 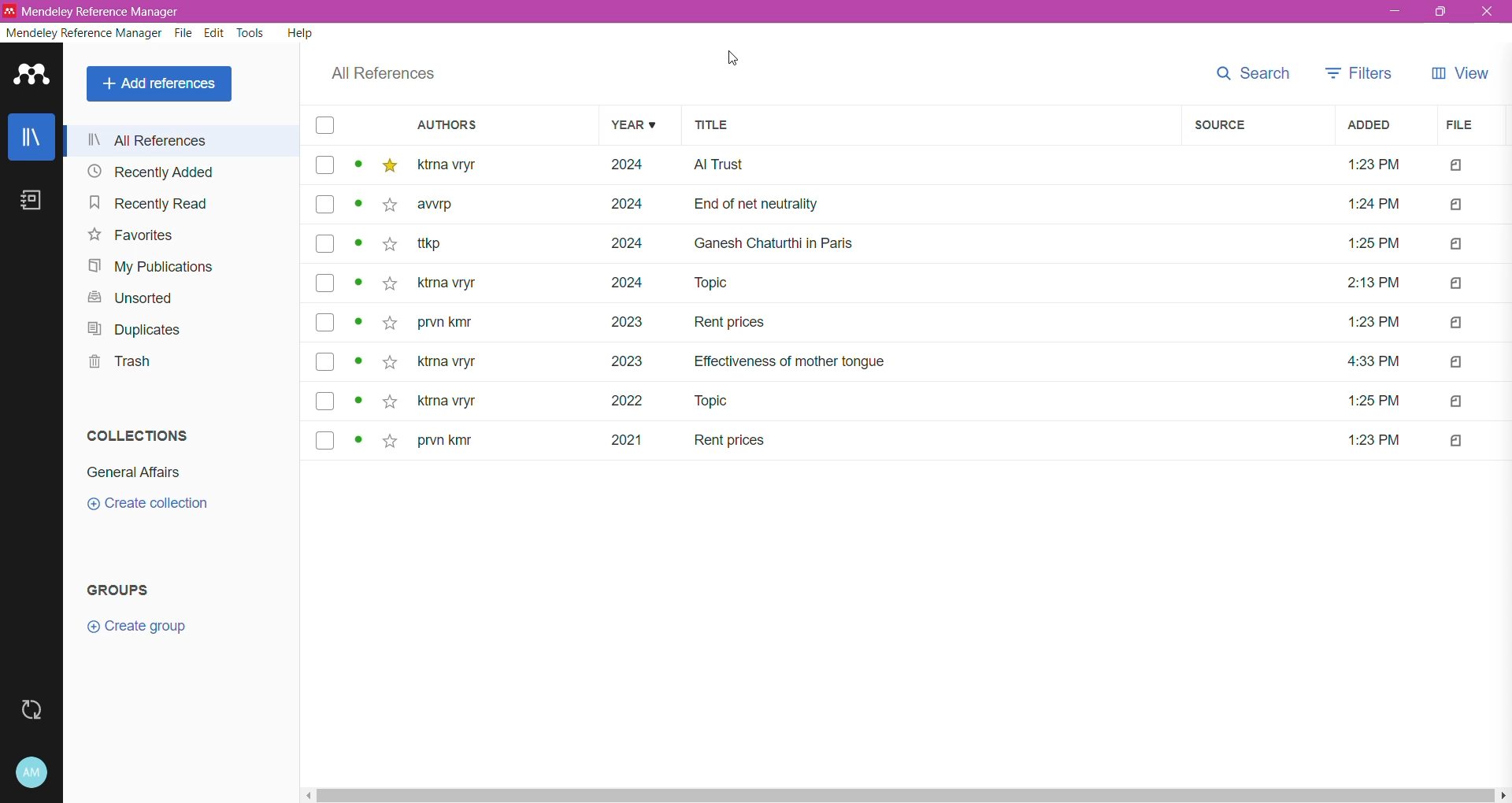 What do you see at coordinates (151, 172) in the screenshot?
I see `Recently Added` at bounding box center [151, 172].